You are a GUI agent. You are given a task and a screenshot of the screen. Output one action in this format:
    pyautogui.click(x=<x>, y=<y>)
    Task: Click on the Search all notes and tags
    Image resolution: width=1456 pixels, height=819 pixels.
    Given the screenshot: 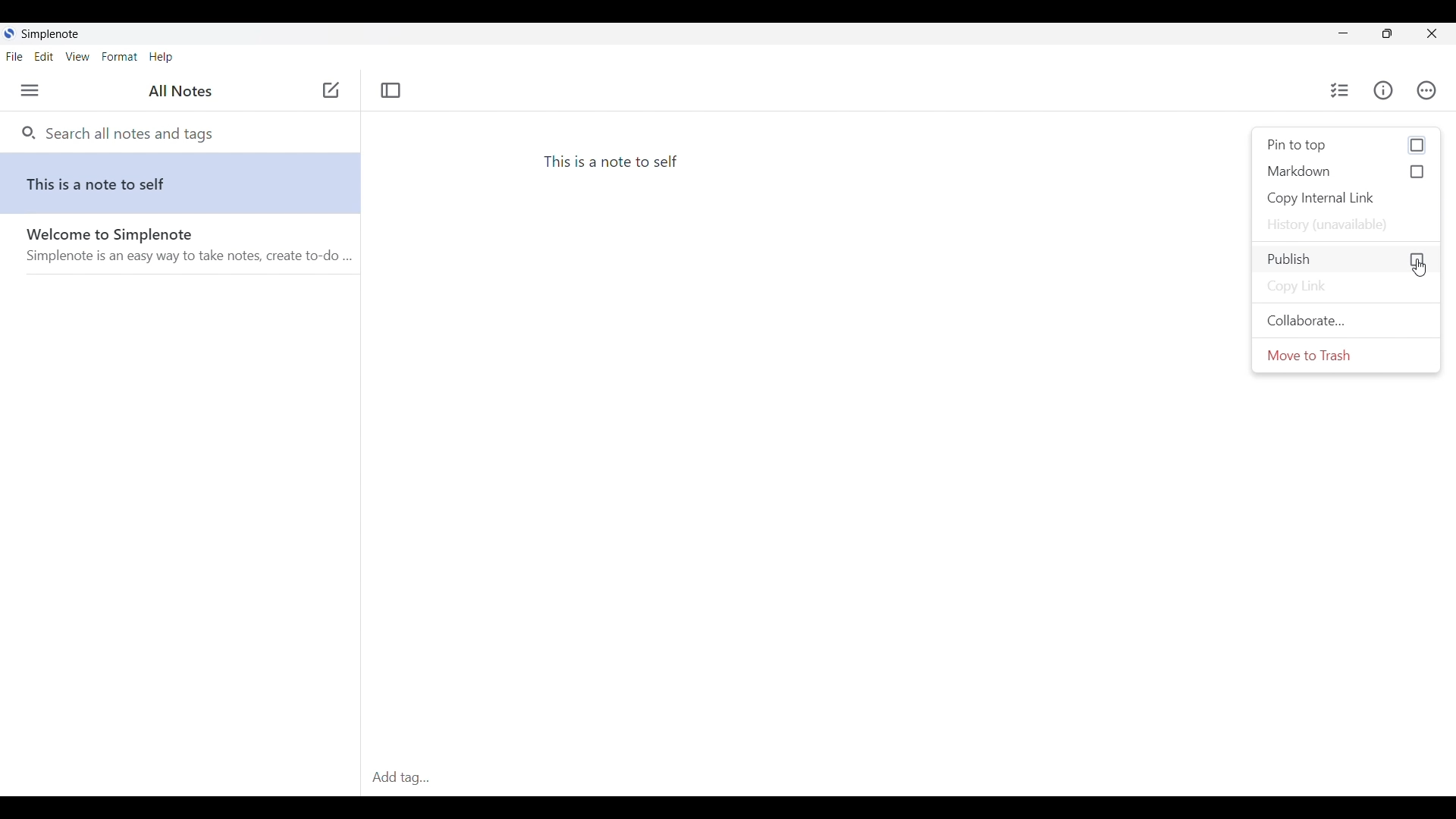 What is the action you would take?
    pyautogui.click(x=127, y=132)
    